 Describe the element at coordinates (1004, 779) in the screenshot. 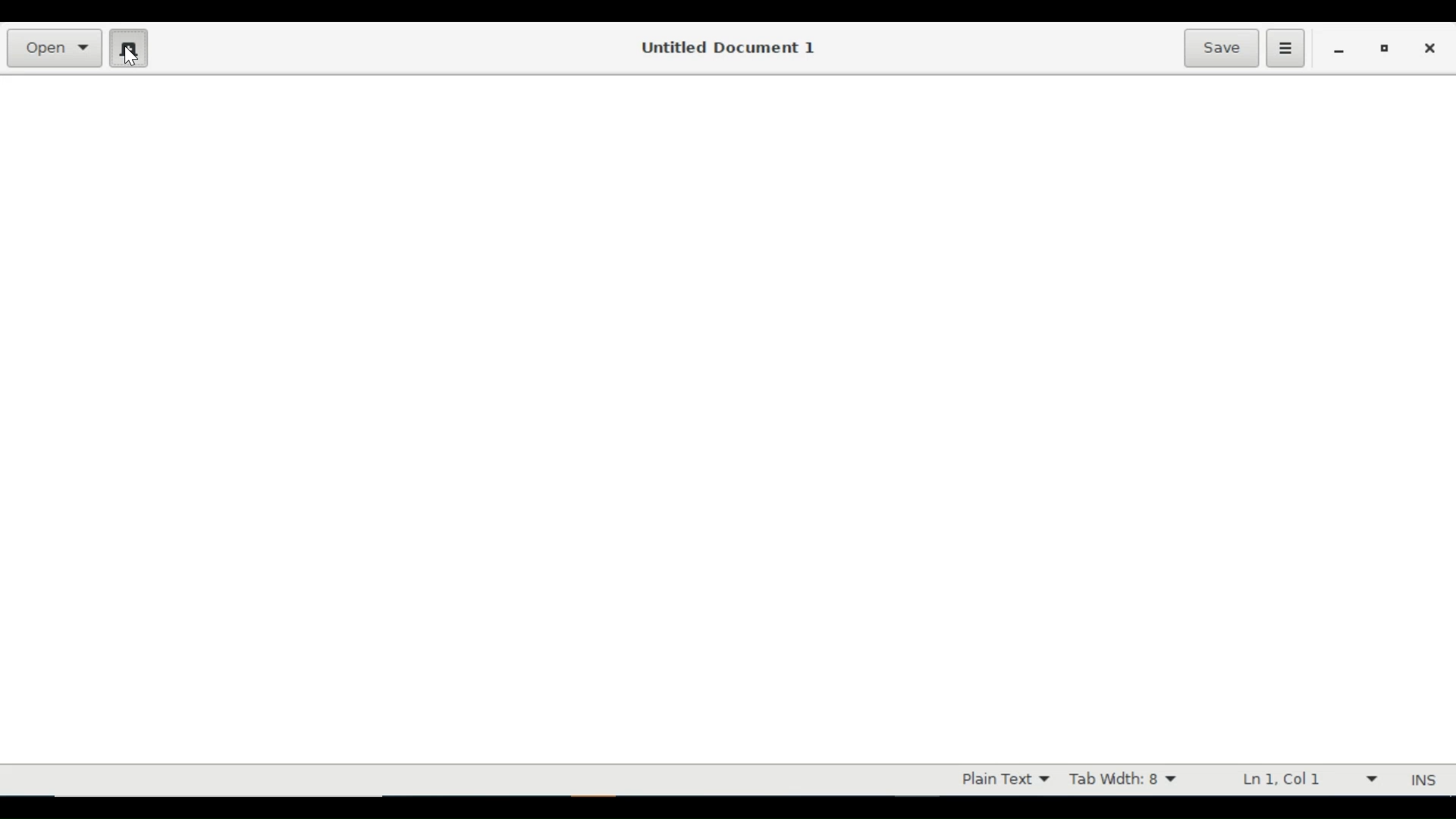

I see `Plain Text` at that location.